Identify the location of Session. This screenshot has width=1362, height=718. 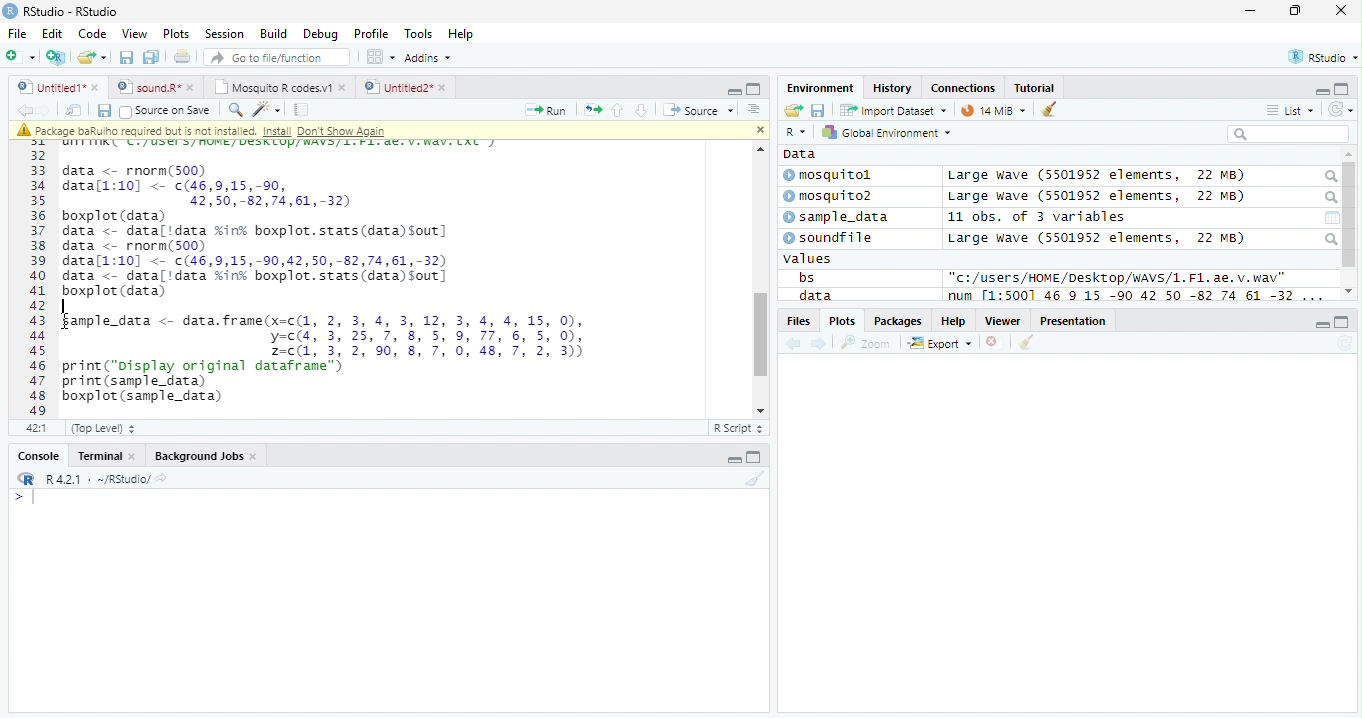
(224, 33).